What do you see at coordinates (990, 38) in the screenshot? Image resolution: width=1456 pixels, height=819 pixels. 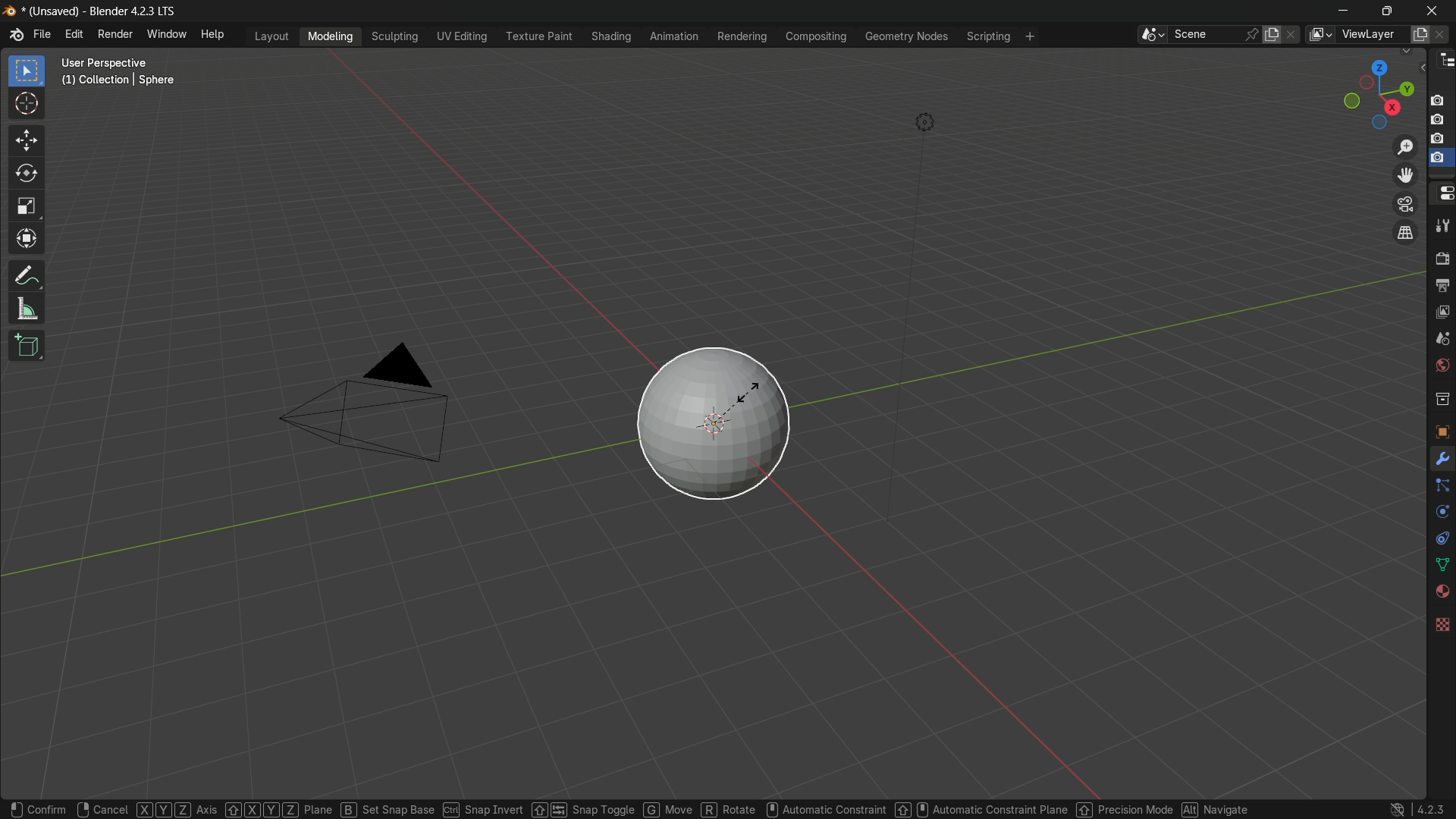 I see `scripting menu` at bounding box center [990, 38].